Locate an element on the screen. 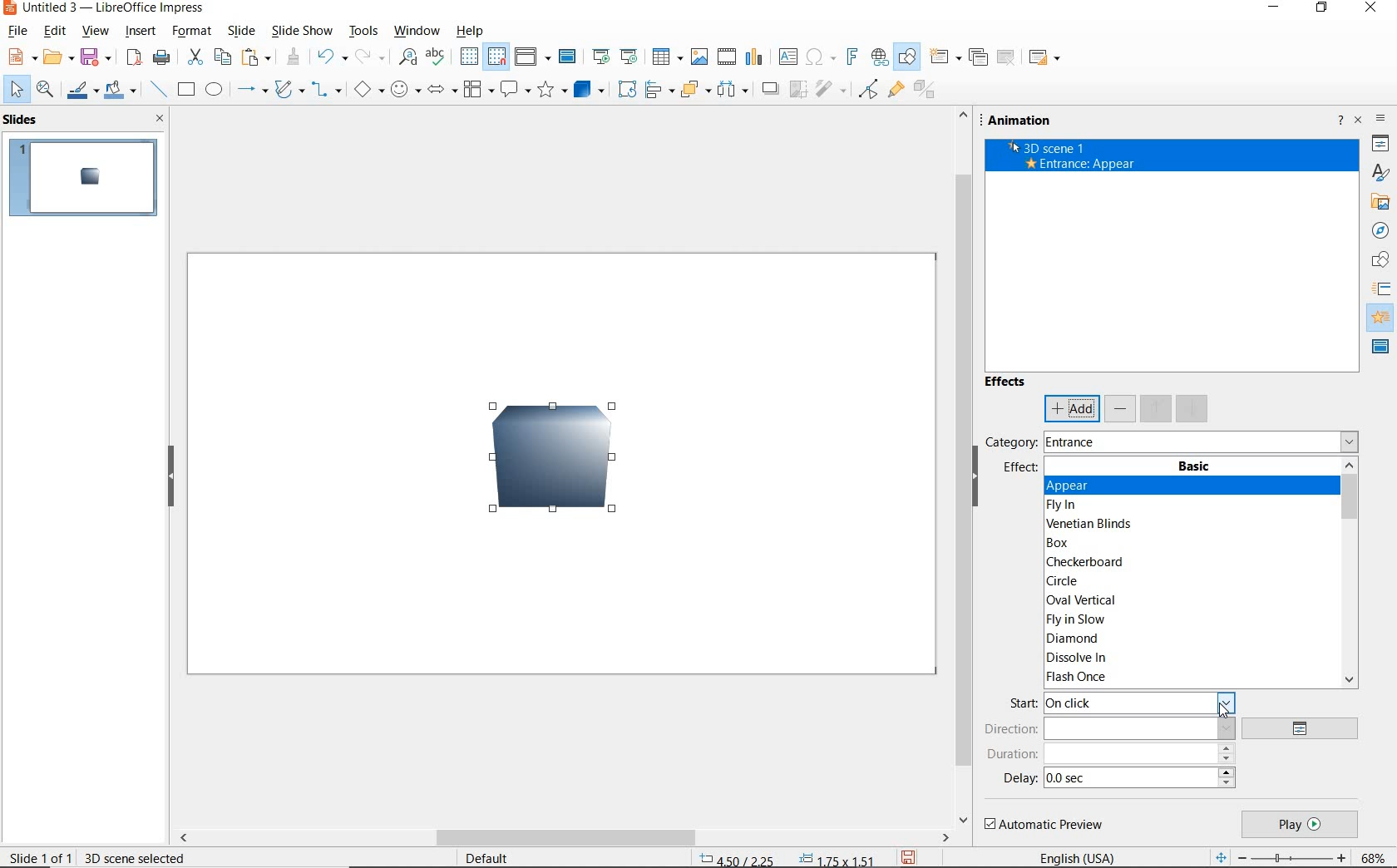  remove effect is located at coordinates (1121, 407).